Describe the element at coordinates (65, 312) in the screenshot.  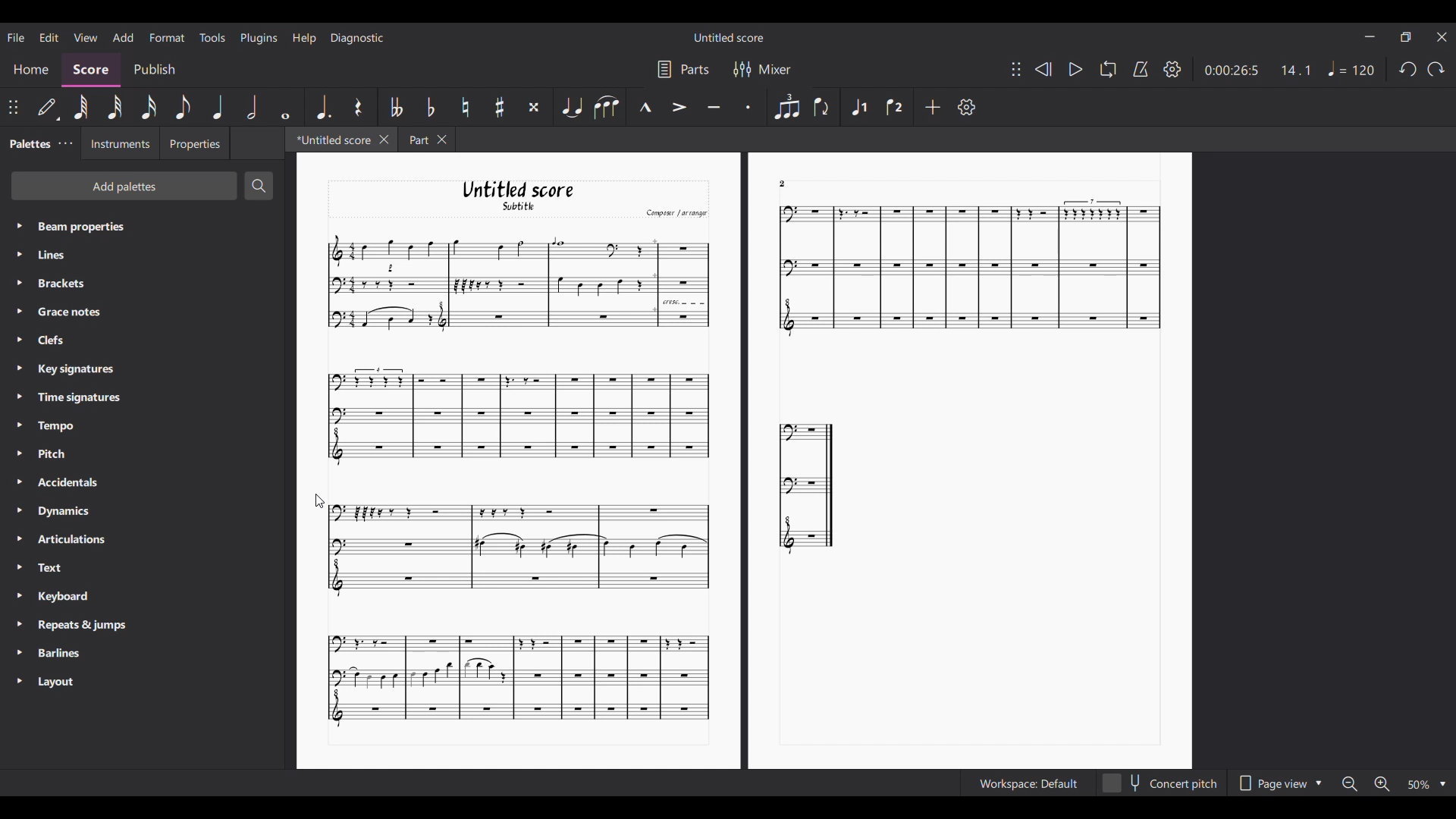
I see `» Grace notes` at that location.